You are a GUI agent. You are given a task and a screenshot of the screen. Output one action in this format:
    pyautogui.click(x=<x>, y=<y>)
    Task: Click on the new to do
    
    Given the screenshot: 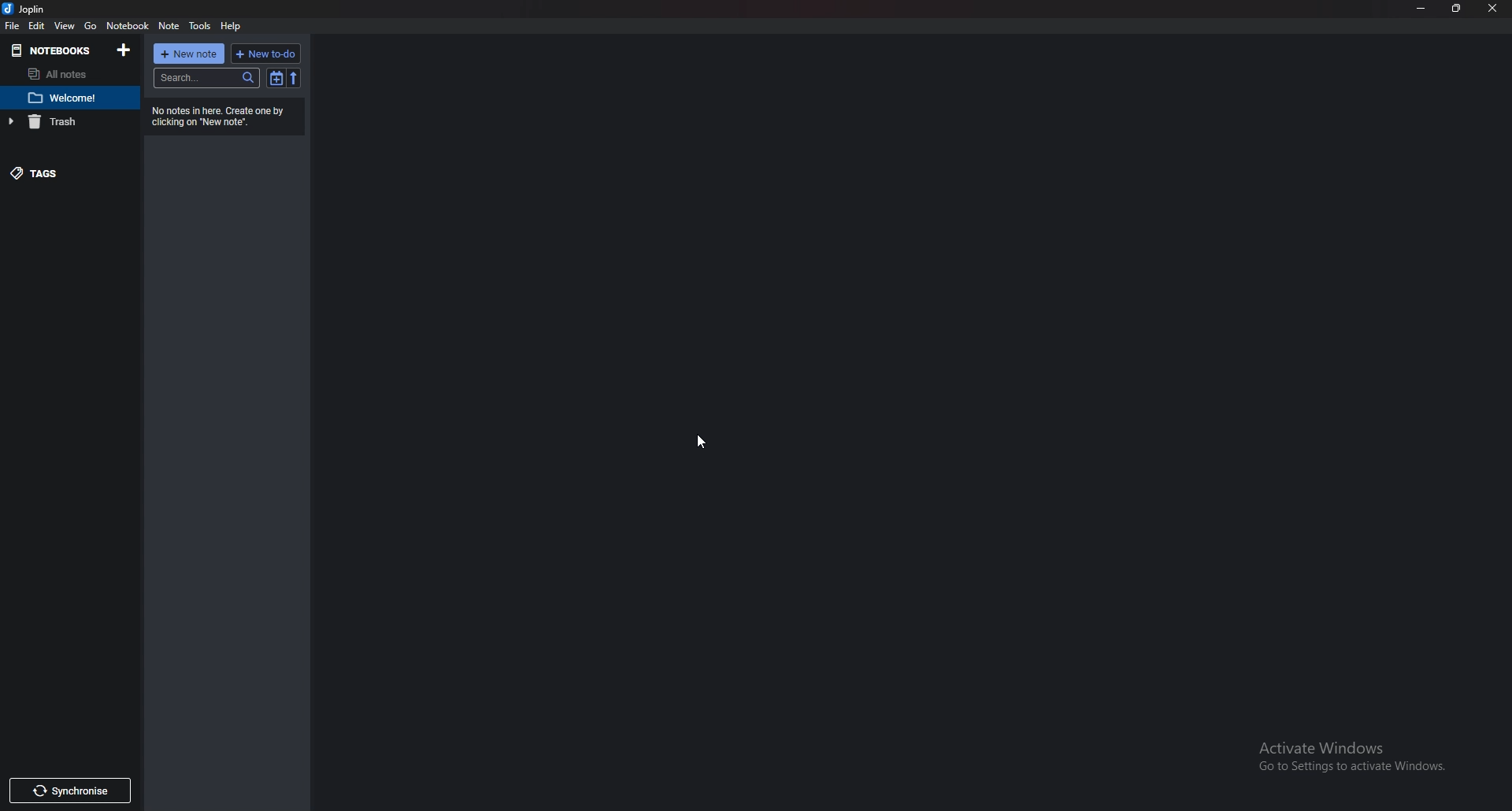 What is the action you would take?
    pyautogui.click(x=266, y=54)
    